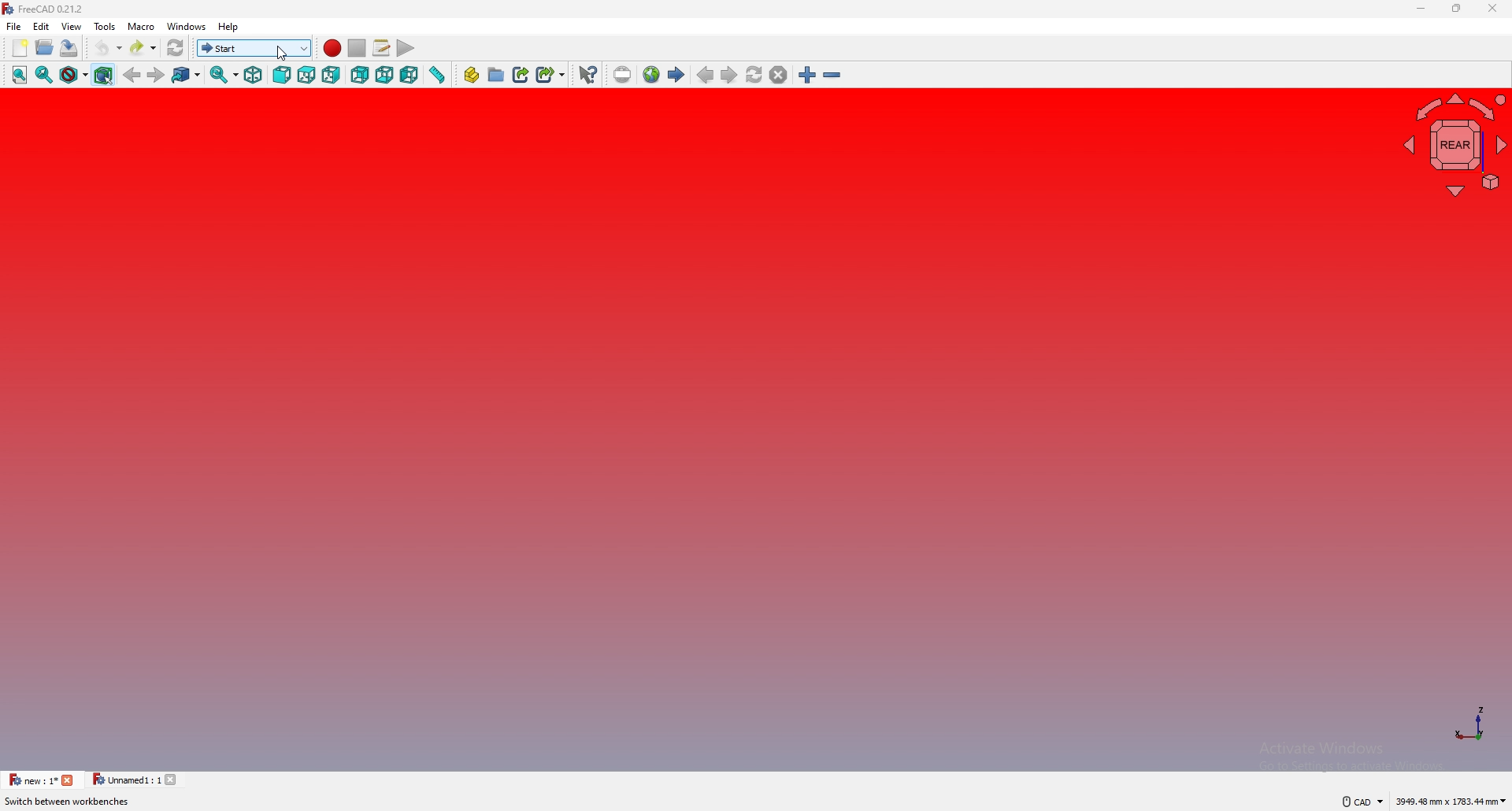  Describe the element at coordinates (283, 53) in the screenshot. I see `cursor` at that location.